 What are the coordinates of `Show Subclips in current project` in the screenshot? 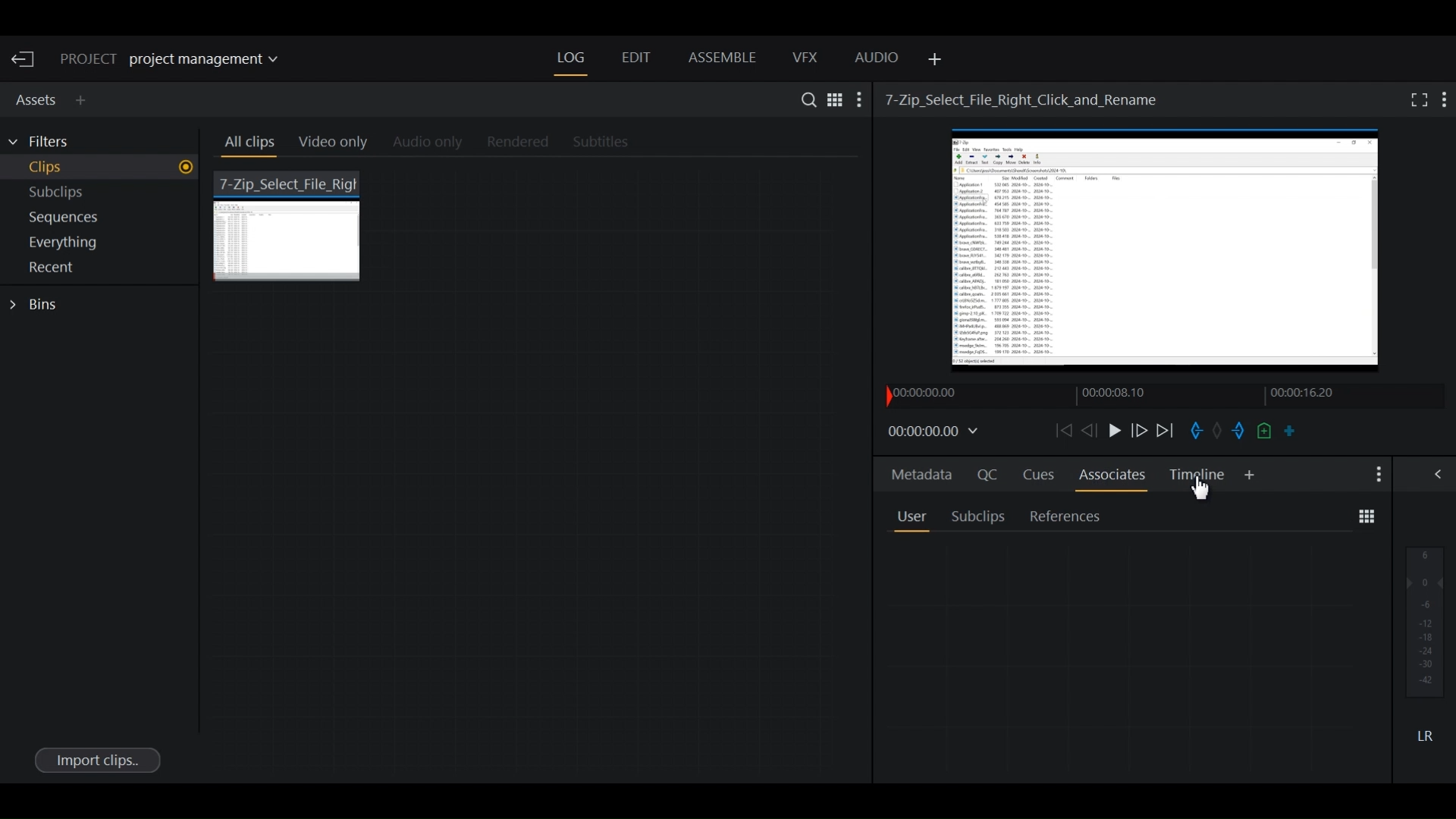 It's located at (103, 195).